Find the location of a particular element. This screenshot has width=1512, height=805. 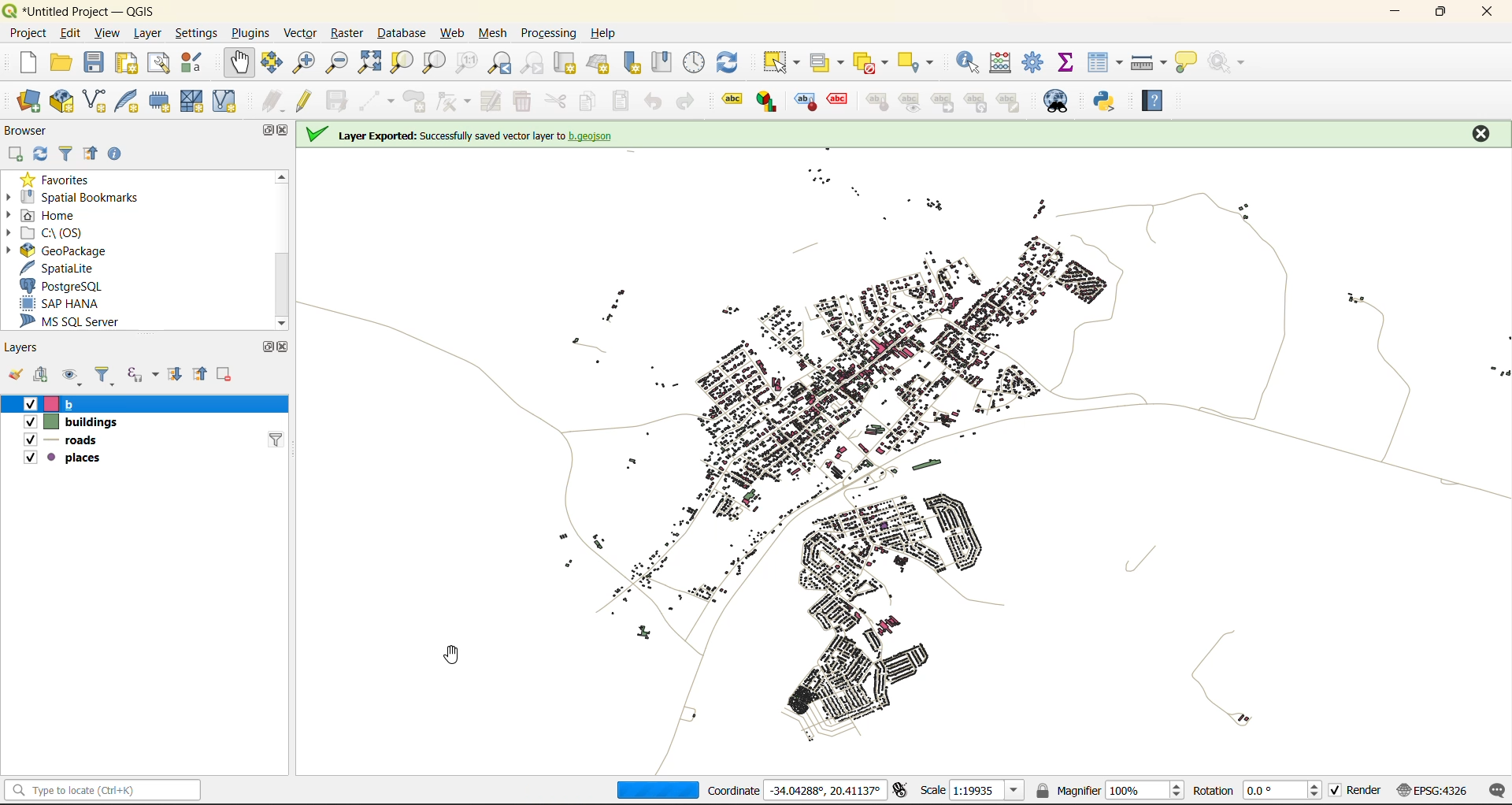

manage map is located at coordinates (69, 377).